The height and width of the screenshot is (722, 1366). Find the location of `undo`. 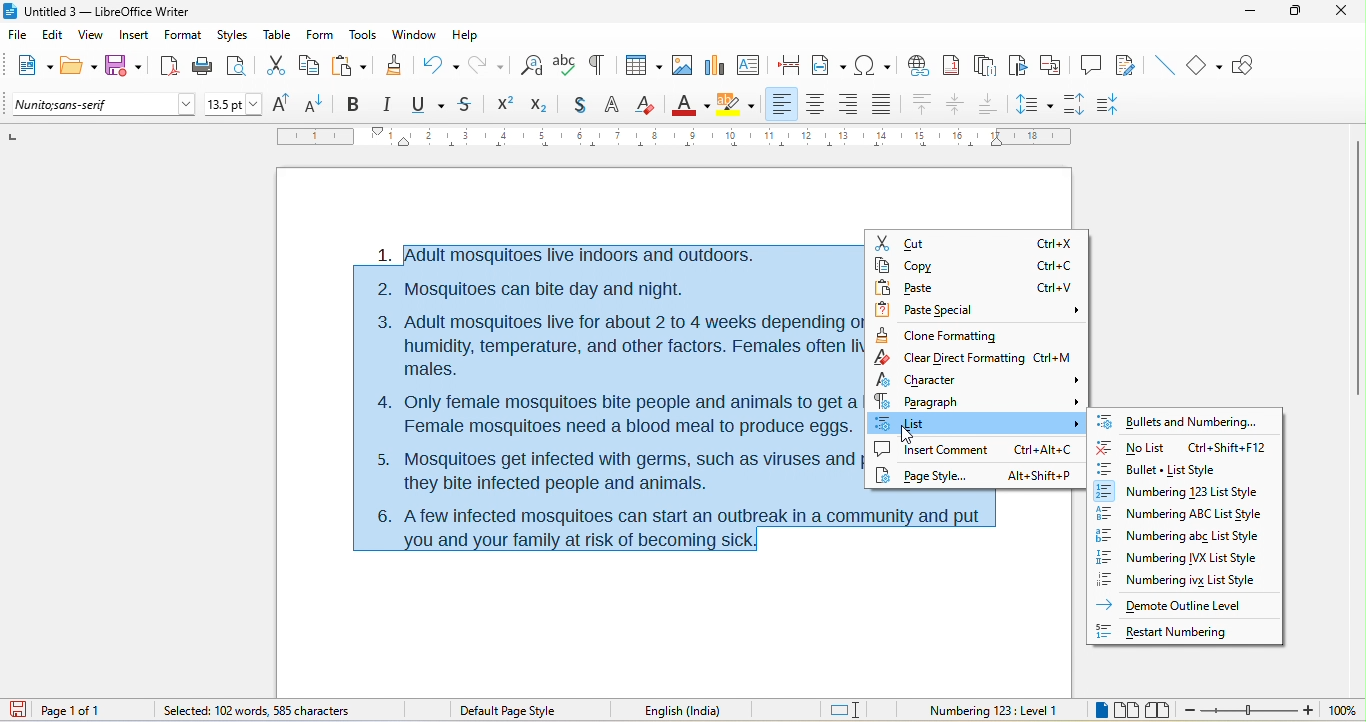

undo is located at coordinates (441, 63).